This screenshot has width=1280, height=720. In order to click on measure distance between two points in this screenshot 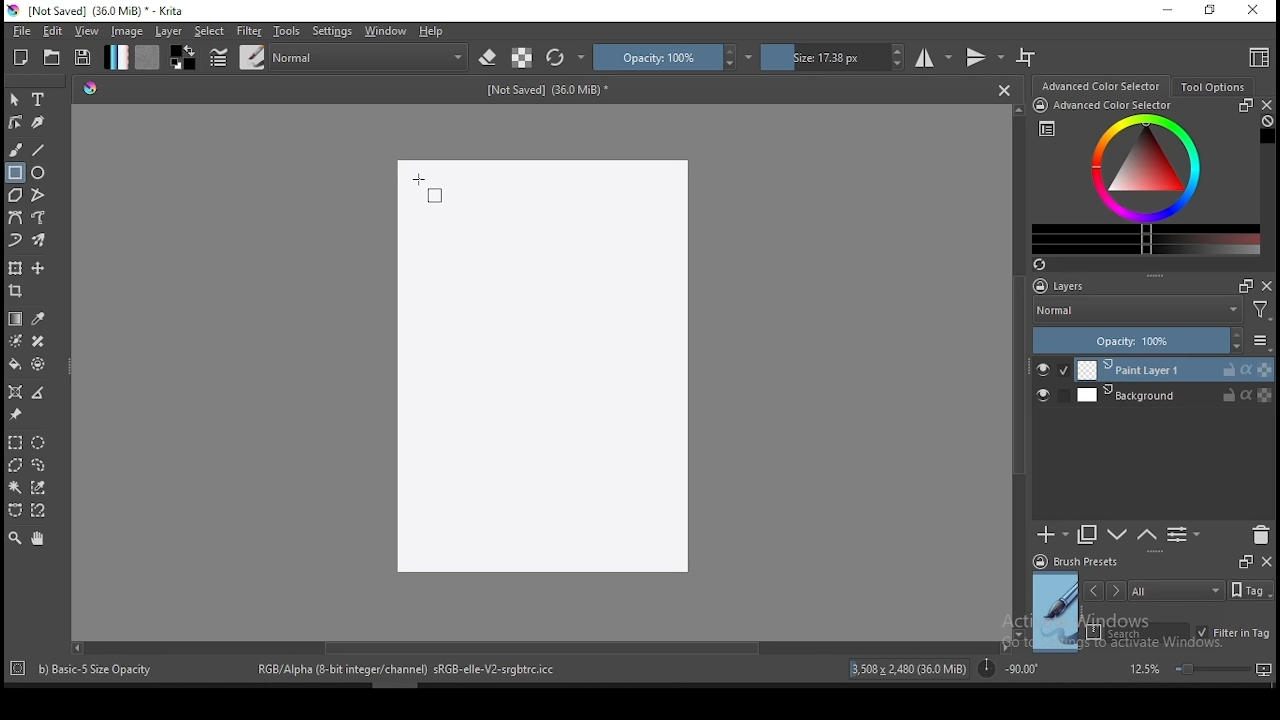, I will do `click(39, 394)`.